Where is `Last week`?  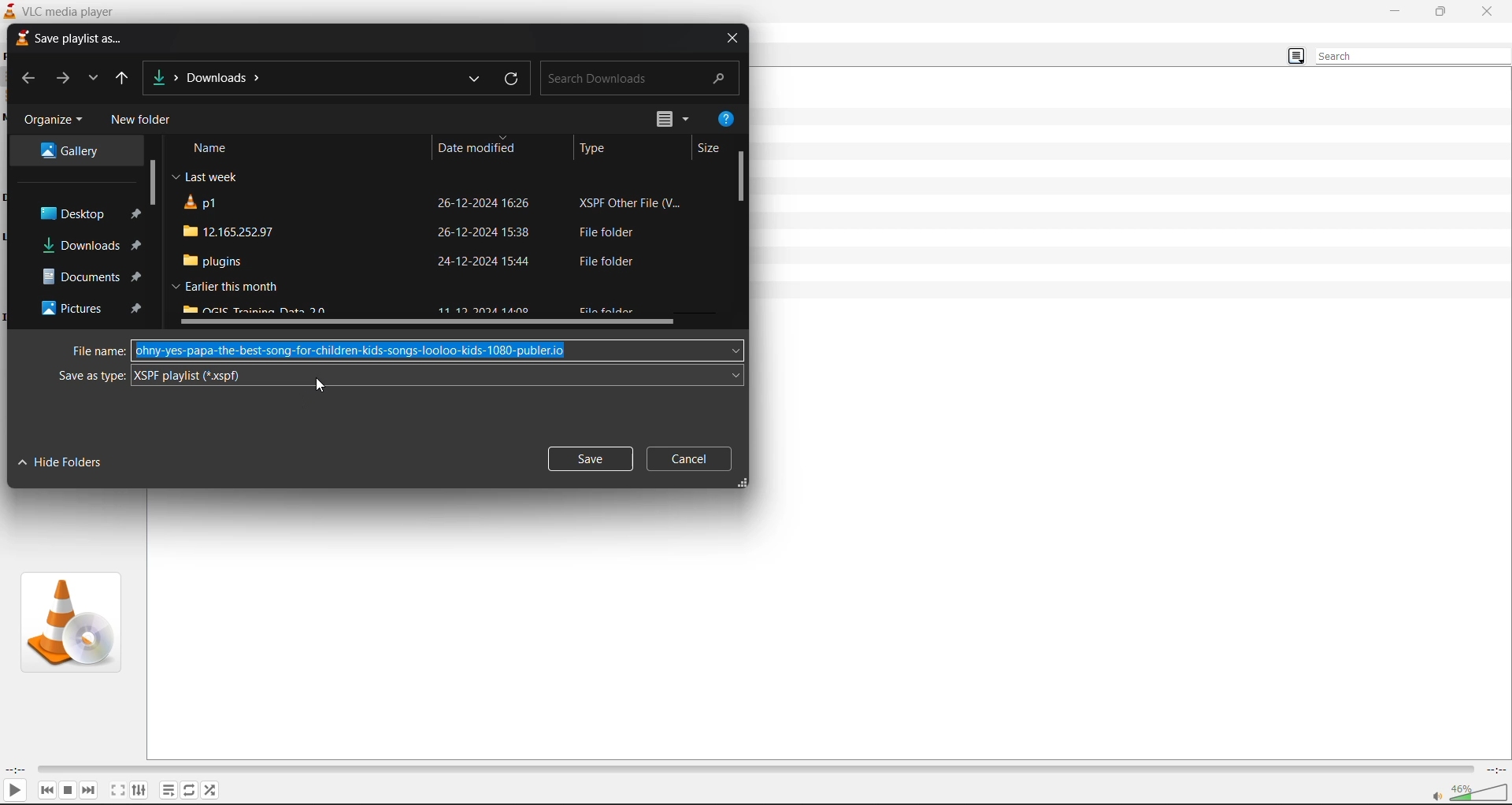
Last week is located at coordinates (204, 178).